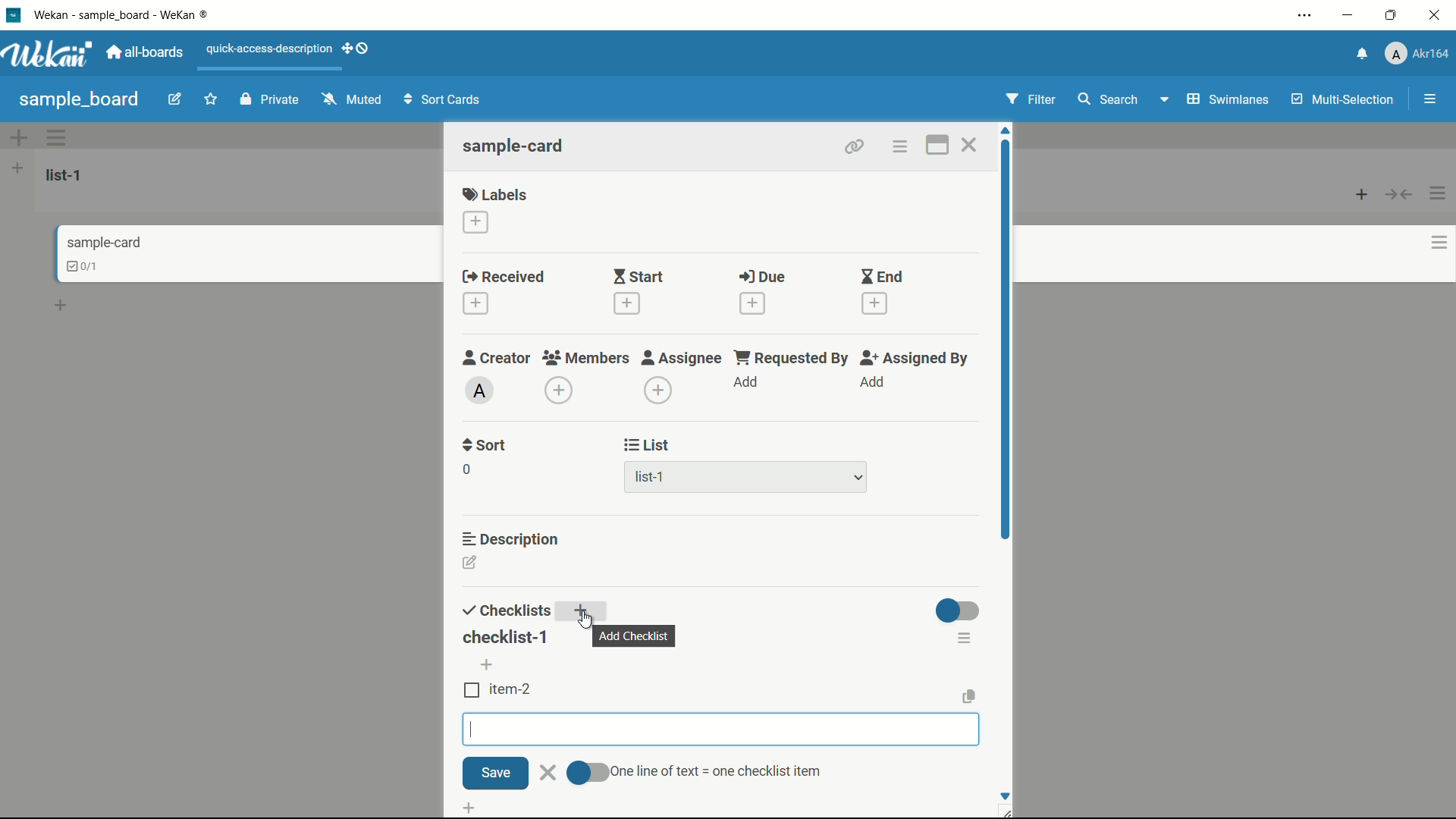 The height and width of the screenshot is (819, 1456). What do you see at coordinates (1345, 101) in the screenshot?
I see `multi selection` at bounding box center [1345, 101].